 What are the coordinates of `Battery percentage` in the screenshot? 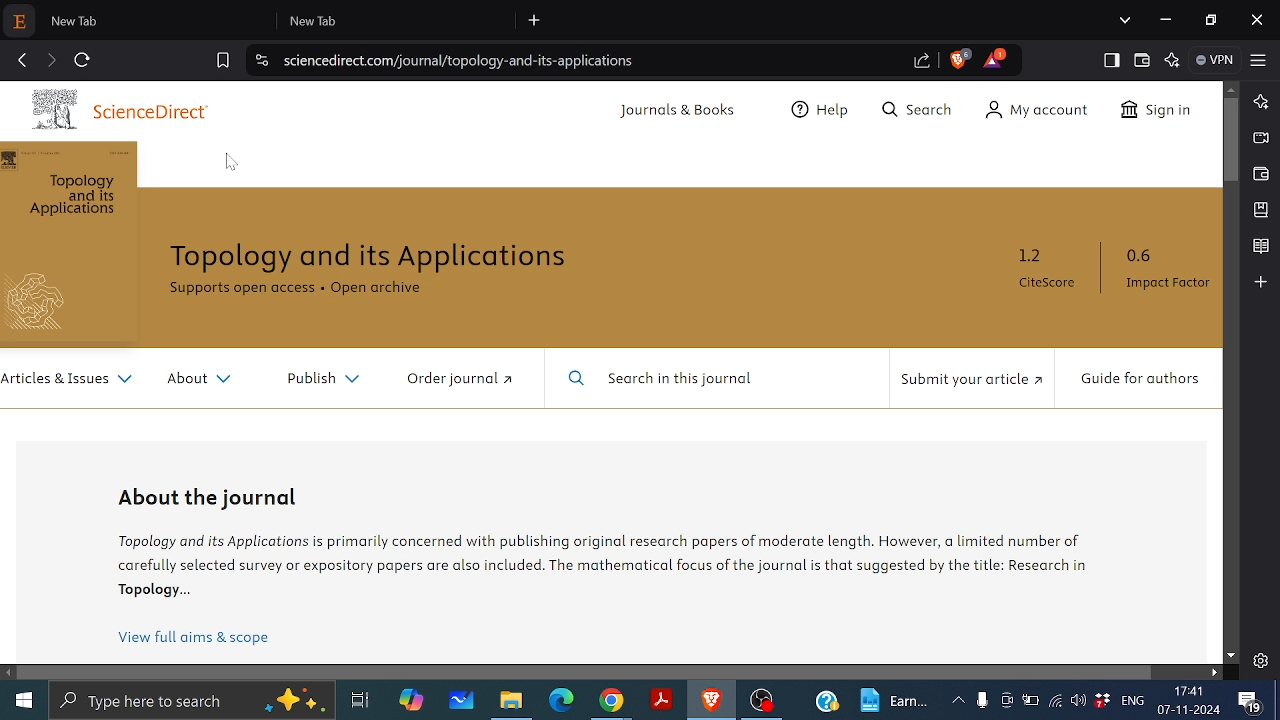 It's located at (1029, 700).